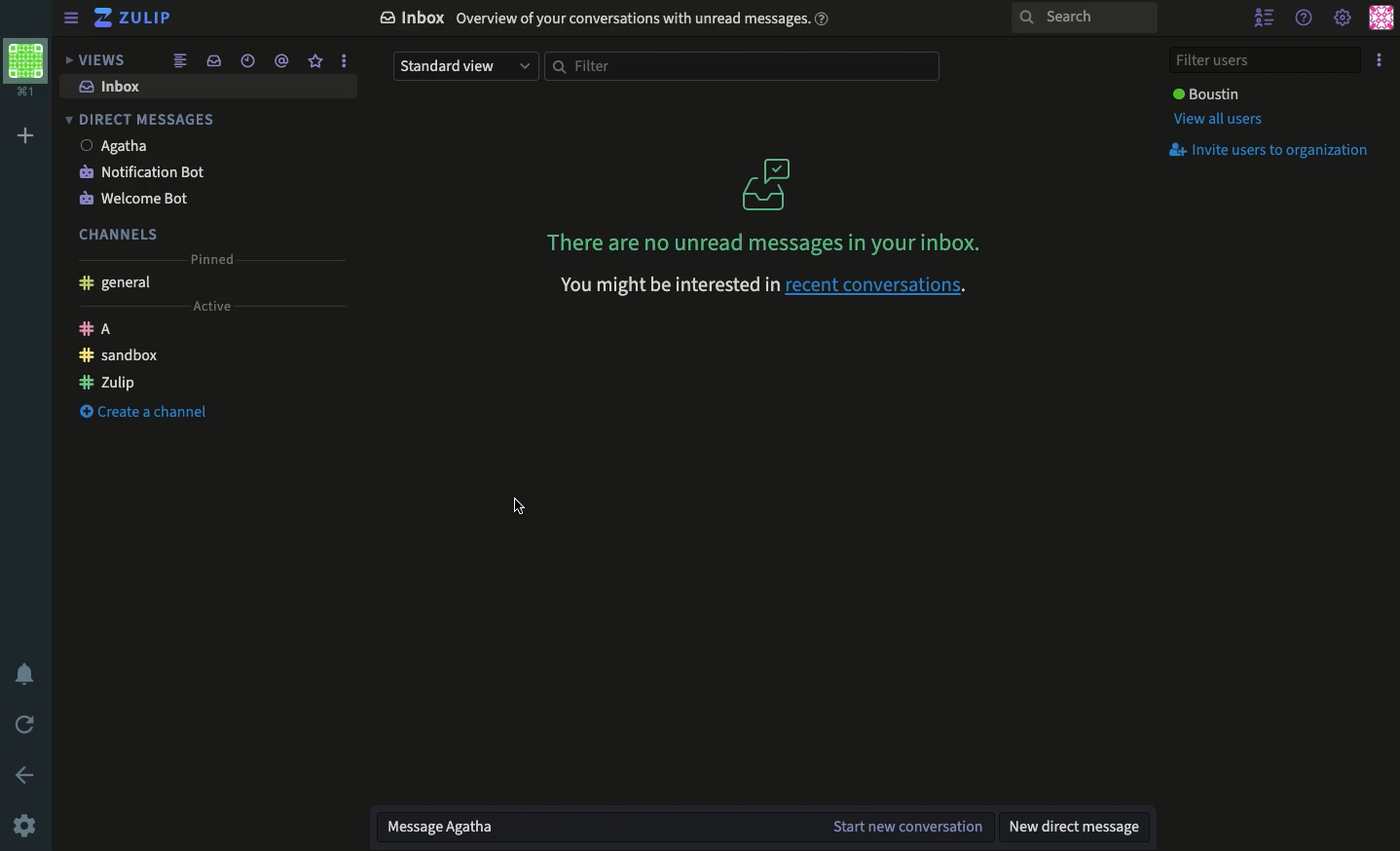 Image resolution: width=1400 pixels, height=851 pixels. I want to click on Sandbox, so click(127, 356).